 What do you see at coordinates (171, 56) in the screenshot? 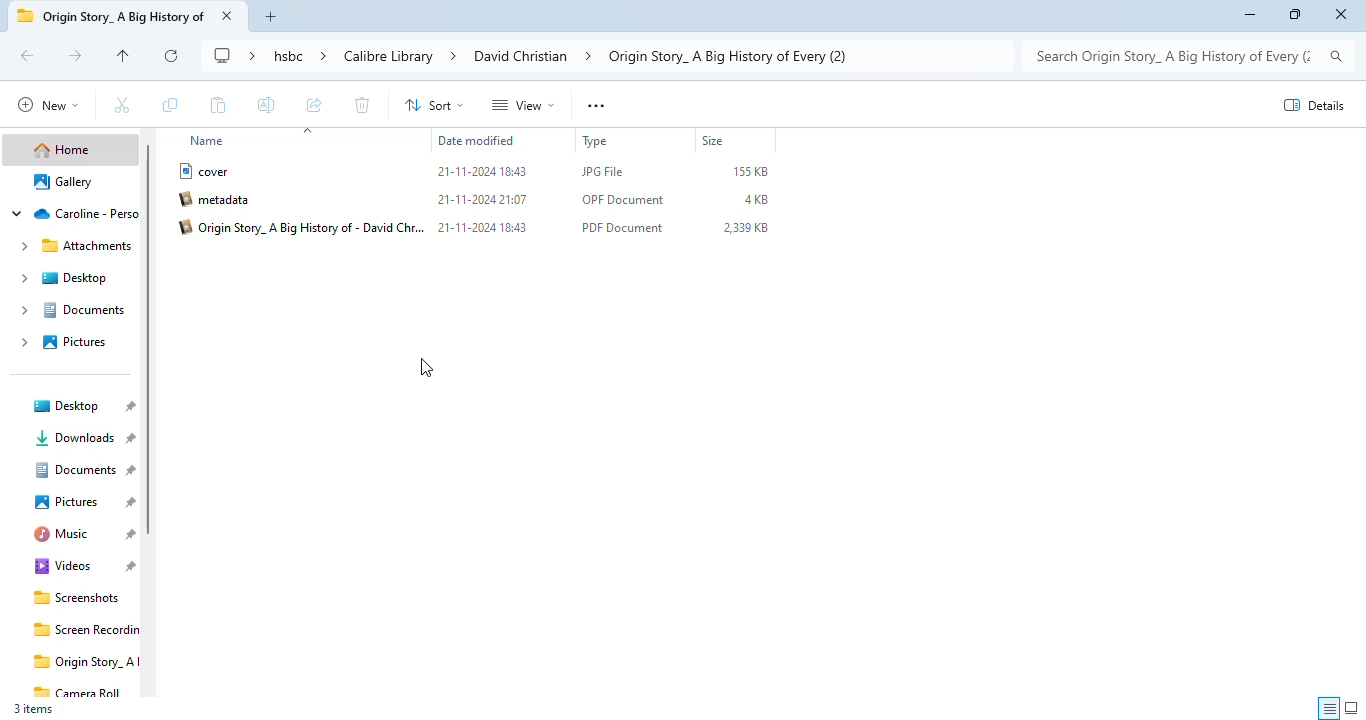
I see `refresh "Origin Story_A Big History of Everything(2)"` at bounding box center [171, 56].